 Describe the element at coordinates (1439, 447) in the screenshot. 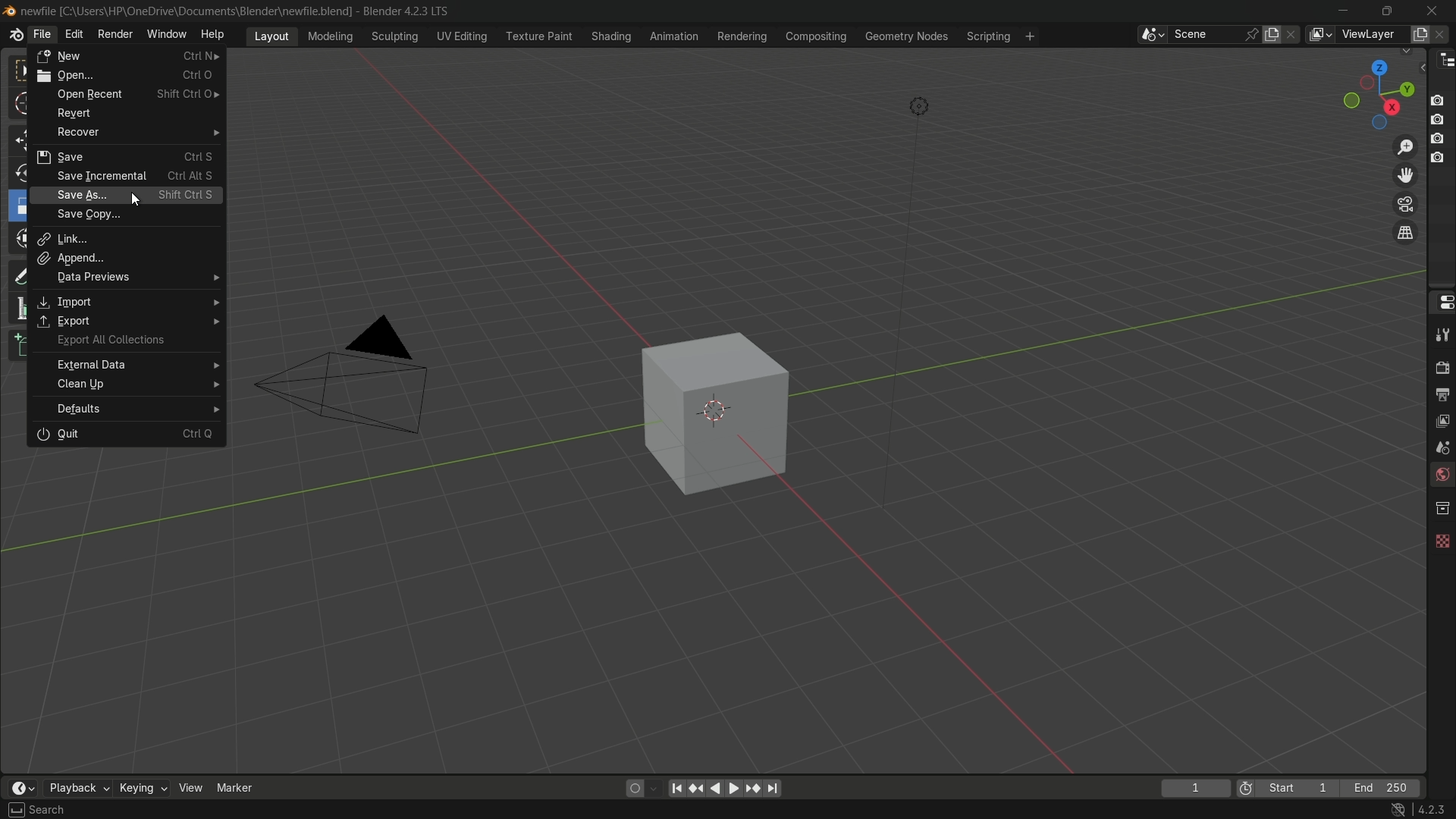

I see `scene` at that location.